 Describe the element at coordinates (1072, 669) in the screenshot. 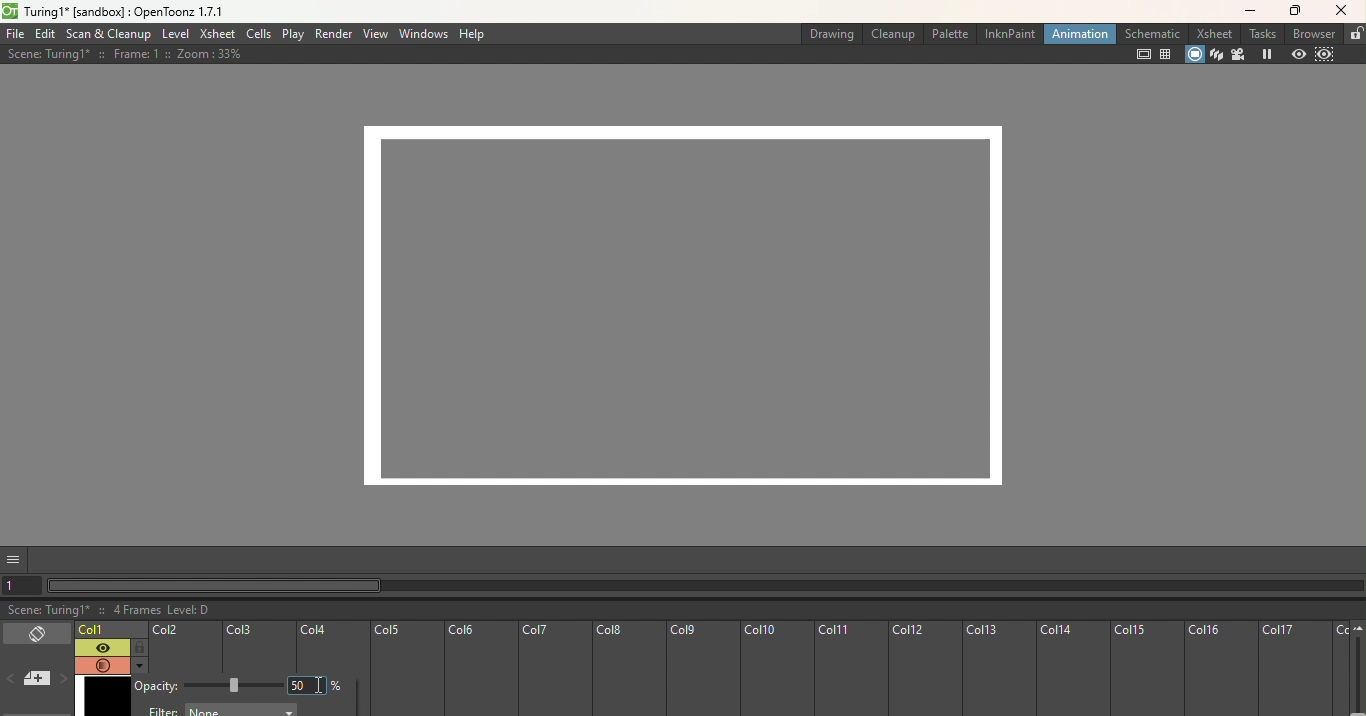

I see `Col14` at that location.